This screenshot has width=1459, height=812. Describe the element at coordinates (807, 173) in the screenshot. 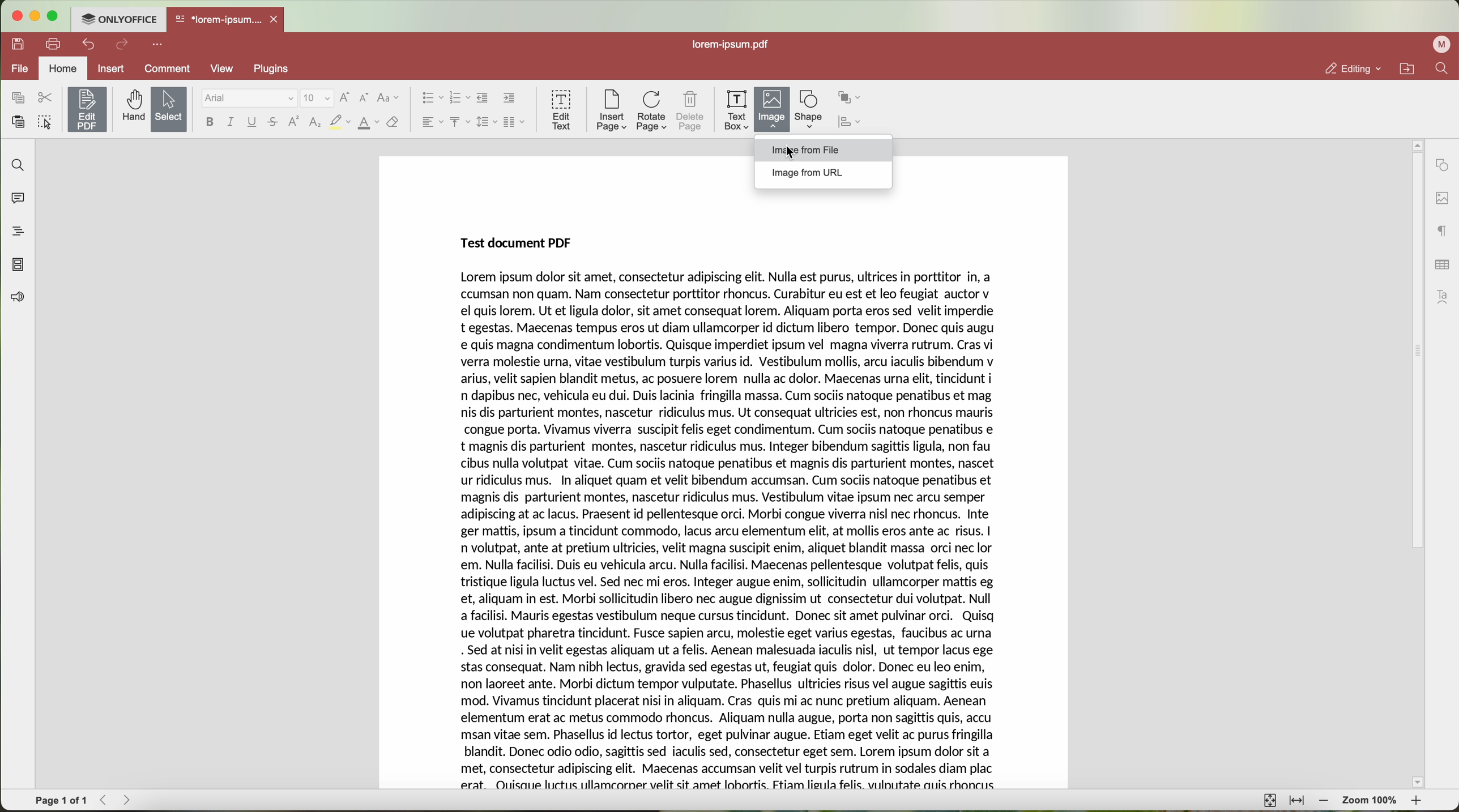

I see `Image from URL` at that location.